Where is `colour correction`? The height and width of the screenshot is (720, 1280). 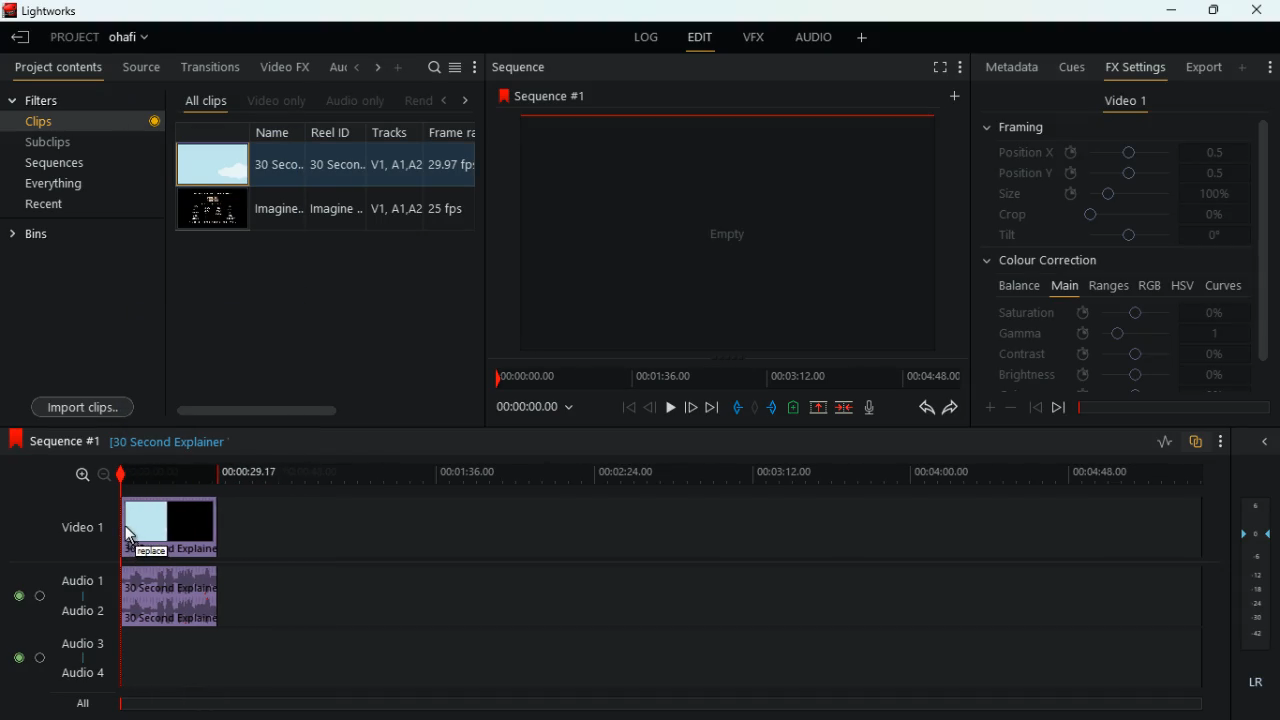 colour correction is located at coordinates (1053, 262).